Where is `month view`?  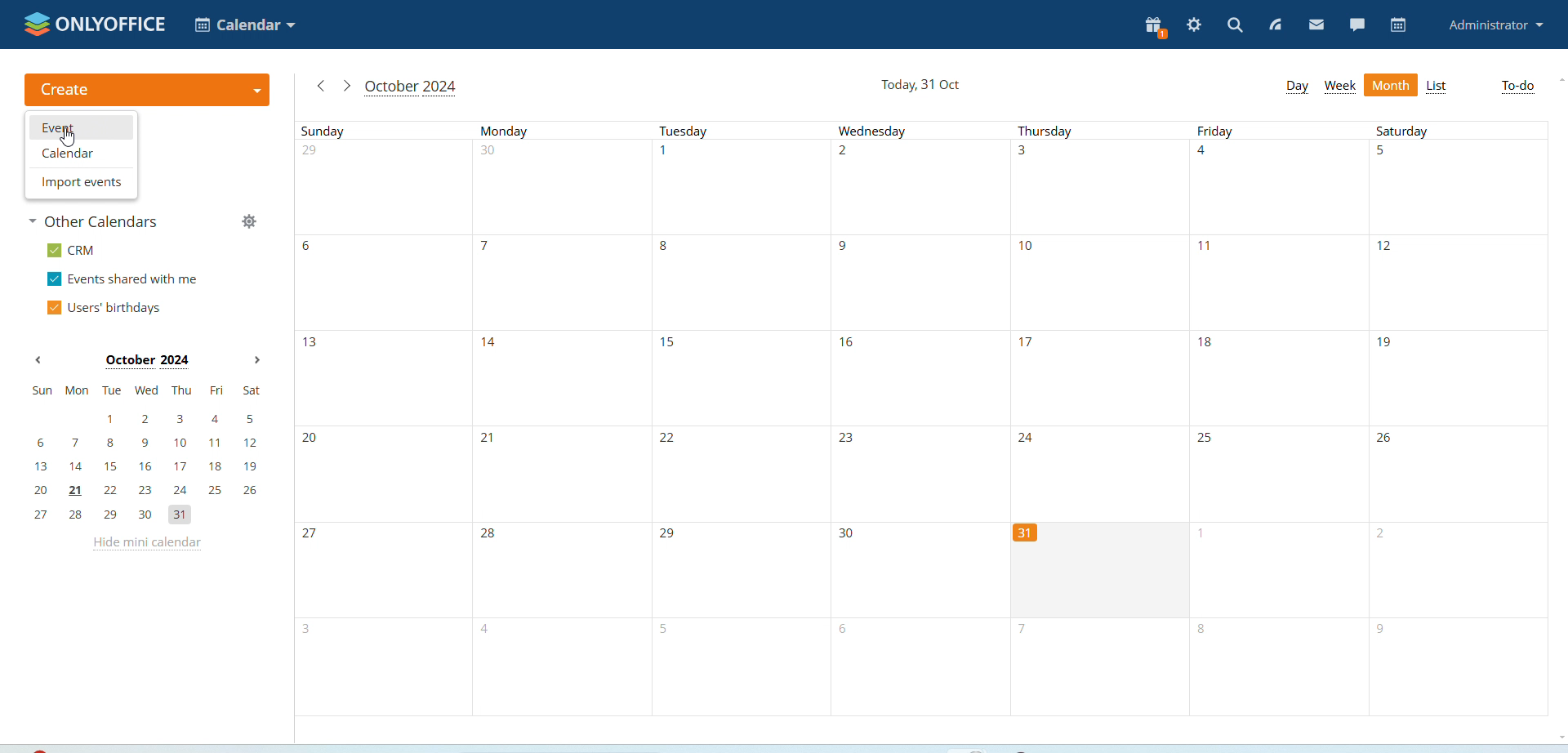 month view is located at coordinates (1391, 84).